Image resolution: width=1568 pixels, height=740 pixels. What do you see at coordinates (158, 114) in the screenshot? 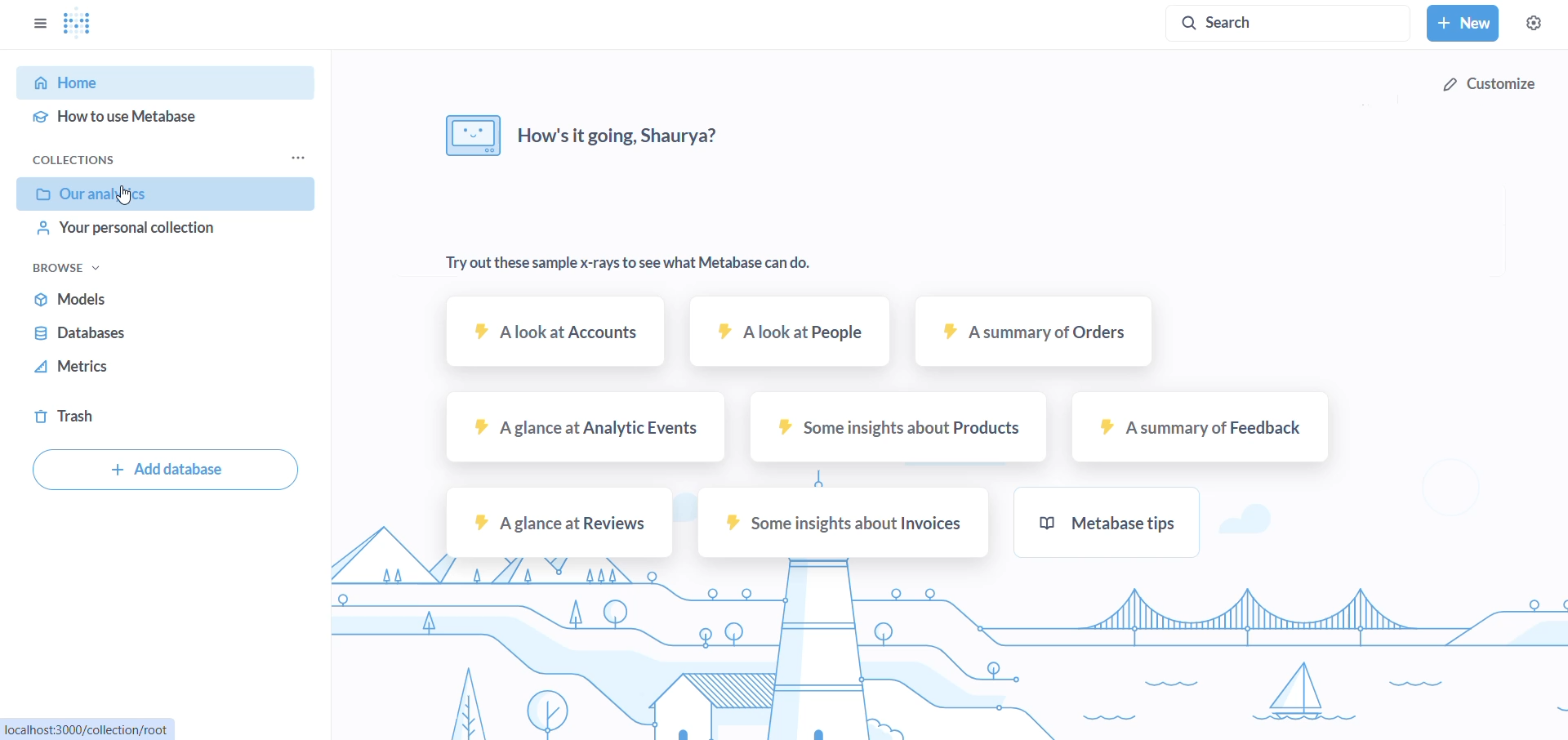
I see `how to use metabase` at bounding box center [158, 114].